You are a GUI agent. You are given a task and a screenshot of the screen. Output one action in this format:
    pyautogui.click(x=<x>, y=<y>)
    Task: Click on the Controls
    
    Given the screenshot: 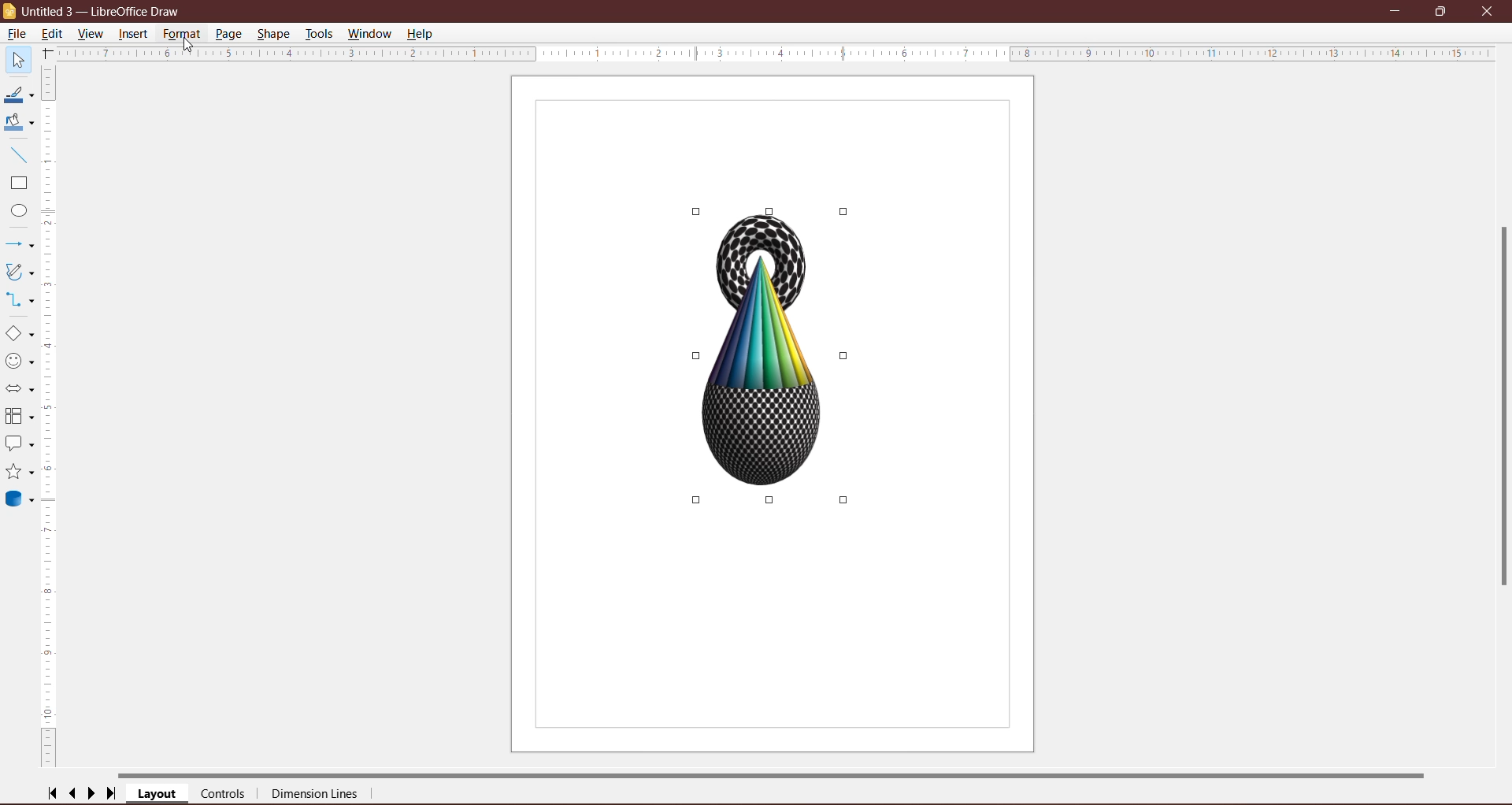 What is the action you would take?
    pyautogui.click(x=223, y=794)
    